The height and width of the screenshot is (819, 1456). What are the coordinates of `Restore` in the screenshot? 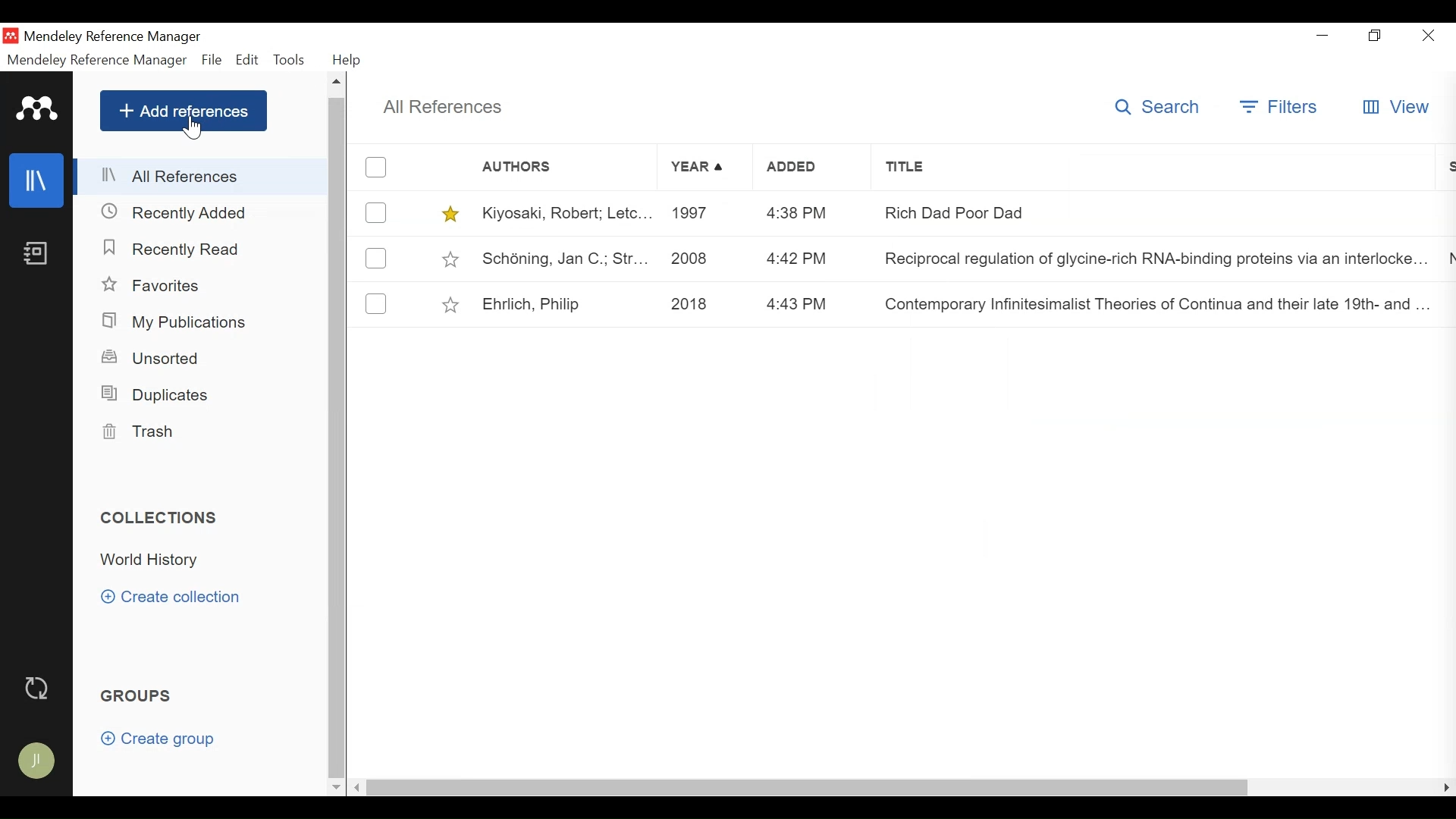 It's located at (1375, 37).